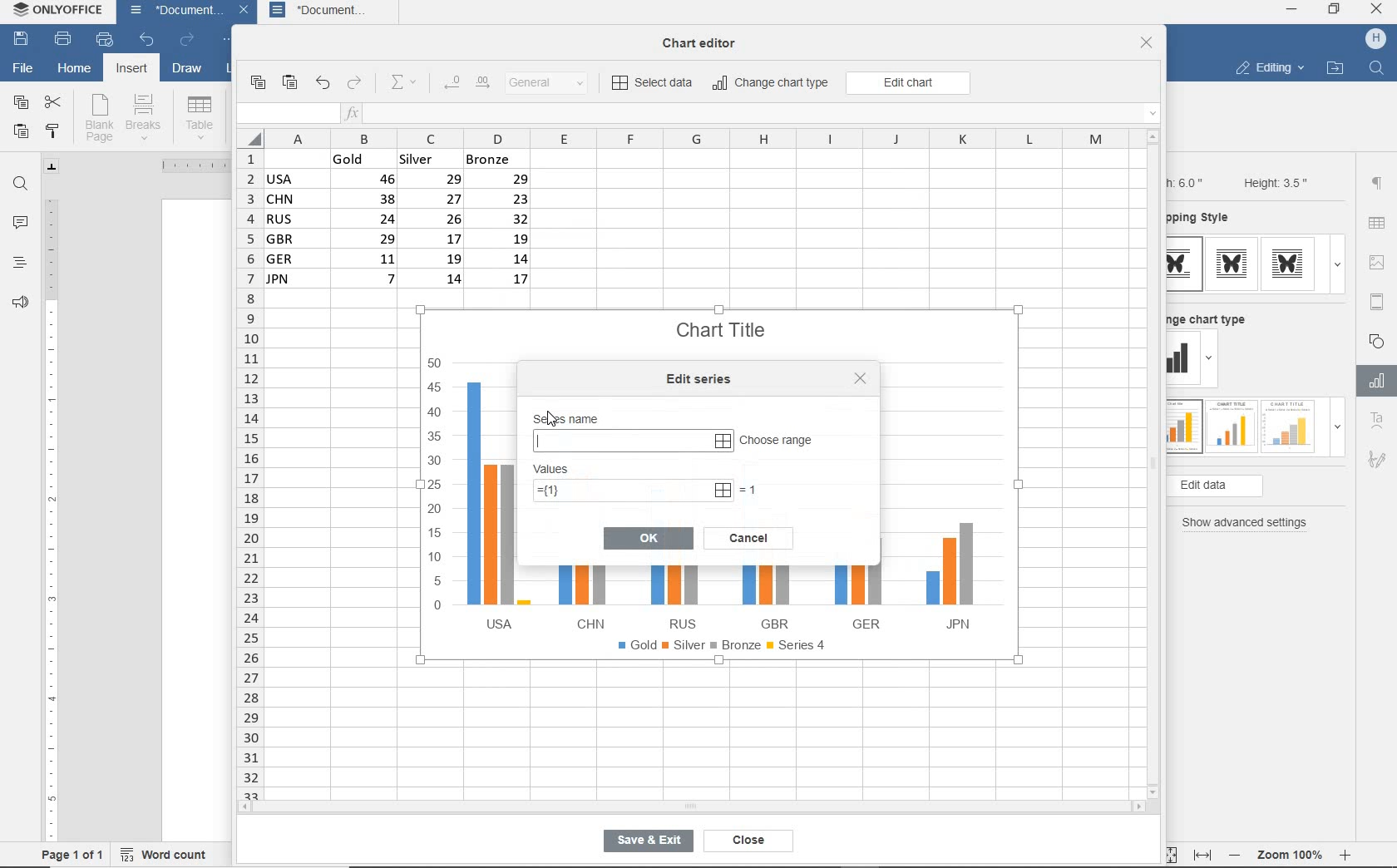  What do you see at coordinates (1292, 264) in the screenshot?
I see `type 3` at bounding box center [1292, 264].